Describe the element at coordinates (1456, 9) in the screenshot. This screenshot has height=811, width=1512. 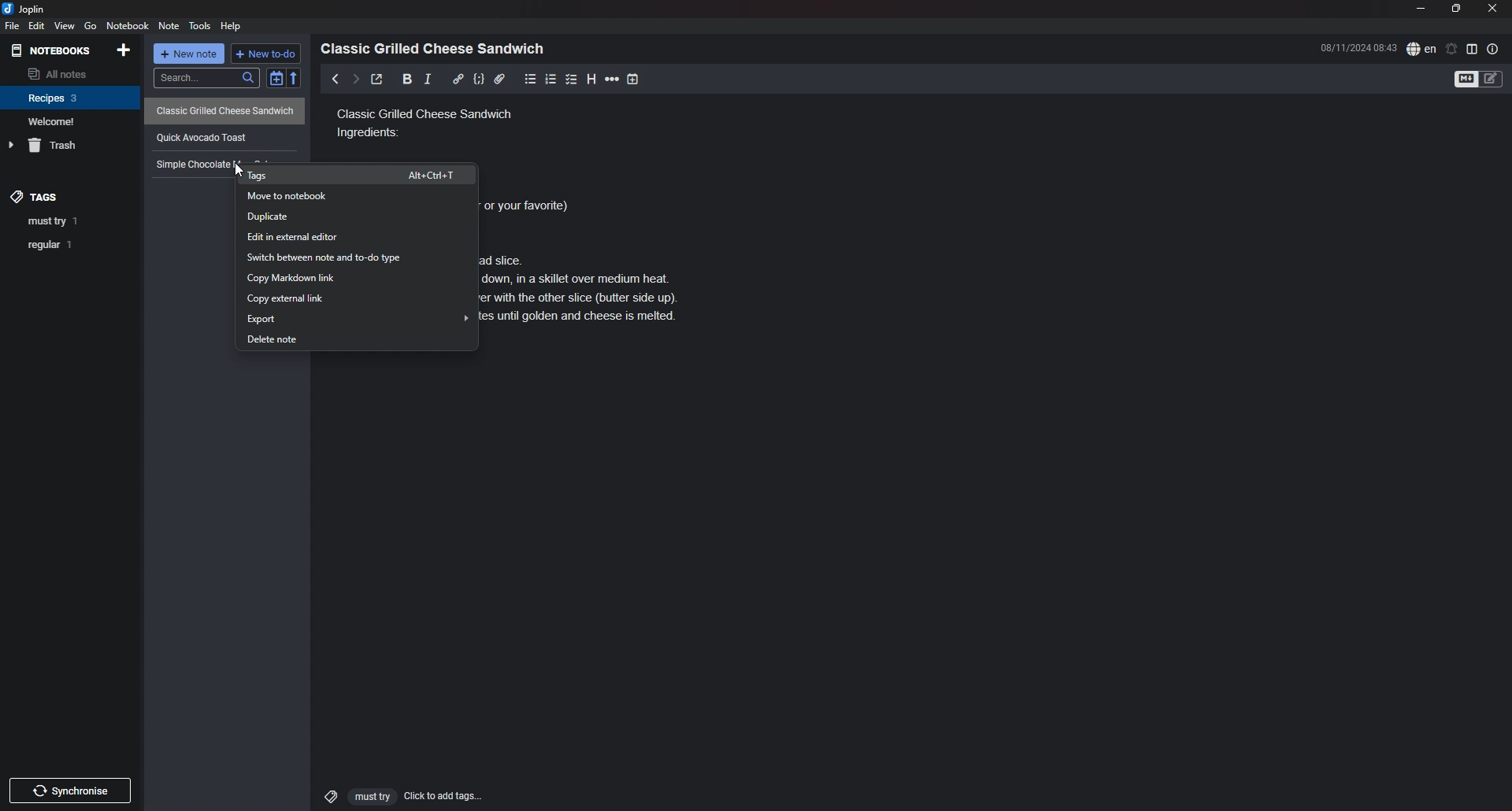
I see `resize` at that location.